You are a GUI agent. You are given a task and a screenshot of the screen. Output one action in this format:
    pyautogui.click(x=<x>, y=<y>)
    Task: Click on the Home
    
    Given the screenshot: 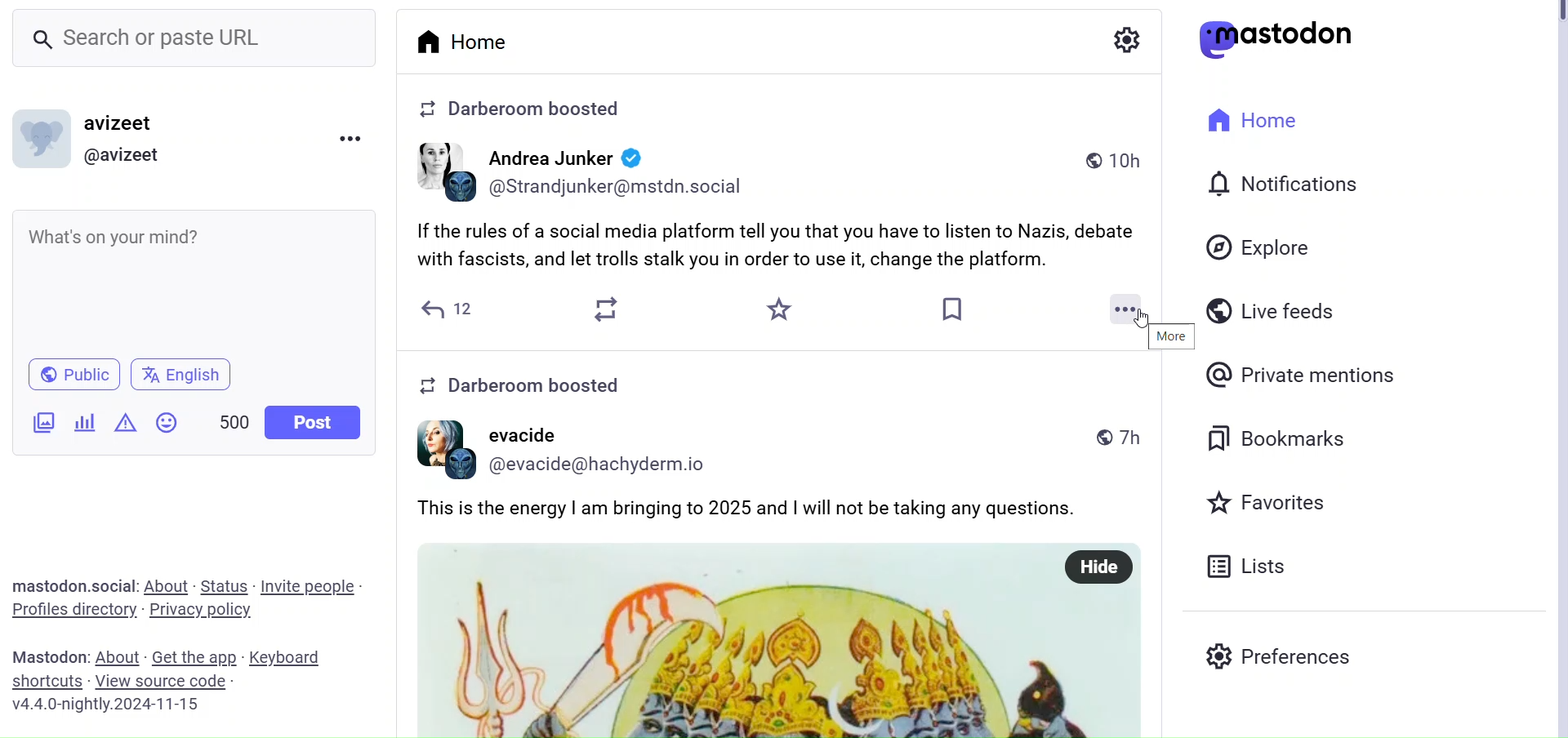 What is the action you would take?
    pyautogui.click(x=466, y=42)
    